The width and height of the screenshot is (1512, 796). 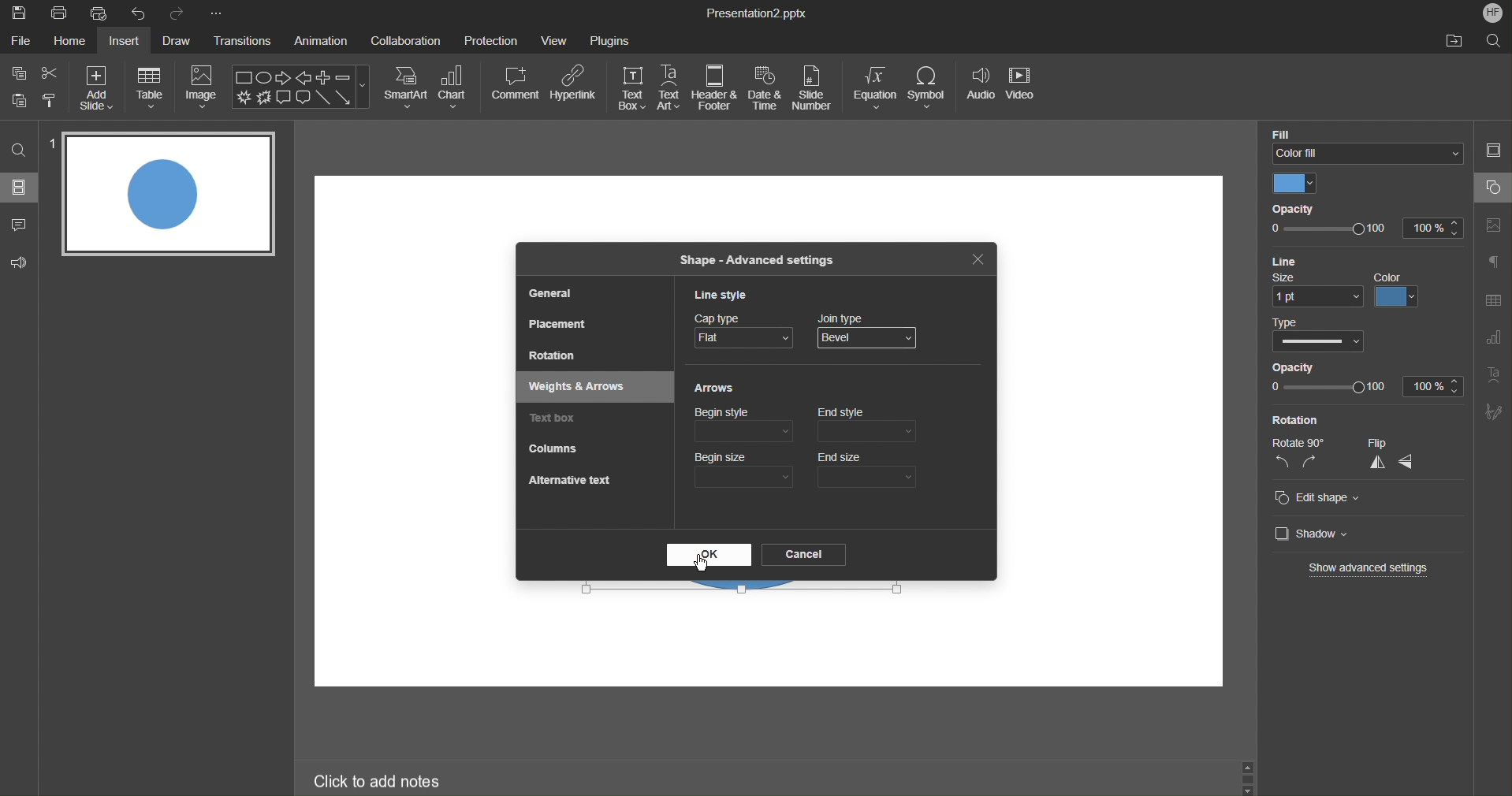 What do you see at coordinates (378, 780) in the screenshot?
I see `Click to add notes` at bounding box center [378, 780].